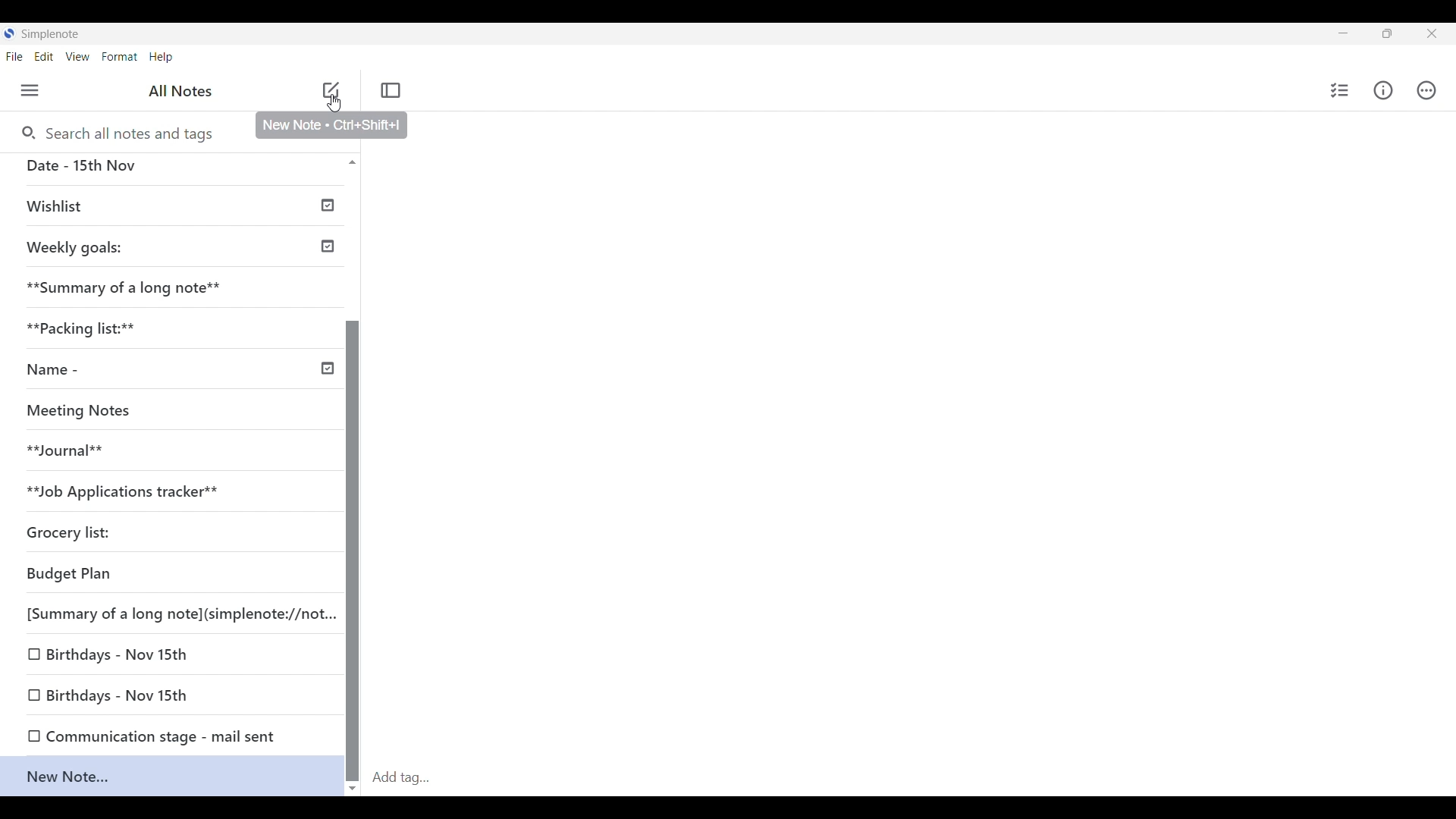 This screenshot has width=1456, height=819. I want to click on 0 Birthdays - Nov 15th, so click(110, 695).